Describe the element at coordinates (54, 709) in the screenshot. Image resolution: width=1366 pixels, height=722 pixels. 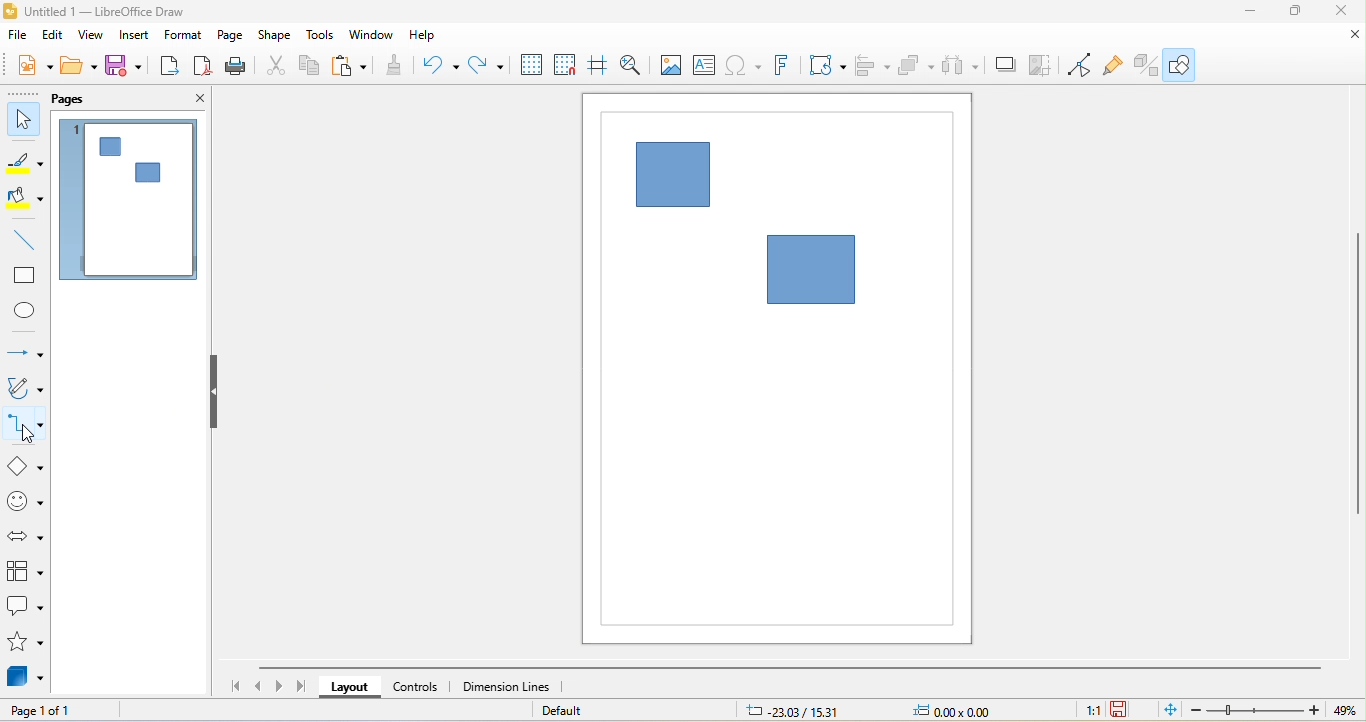
I see `page 1 of 1` at that location.